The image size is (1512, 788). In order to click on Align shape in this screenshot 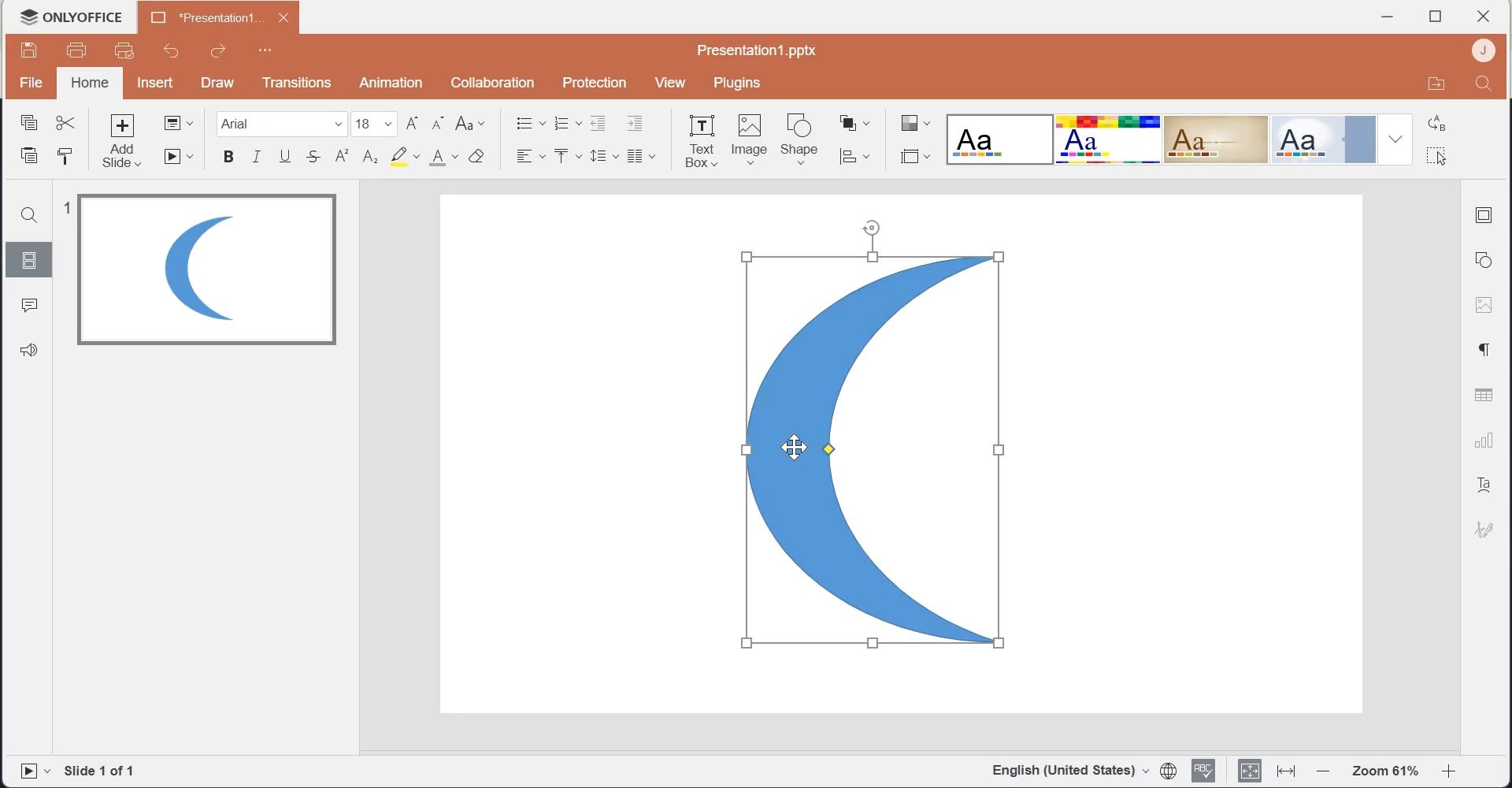, I will do `click(860, 158)`.